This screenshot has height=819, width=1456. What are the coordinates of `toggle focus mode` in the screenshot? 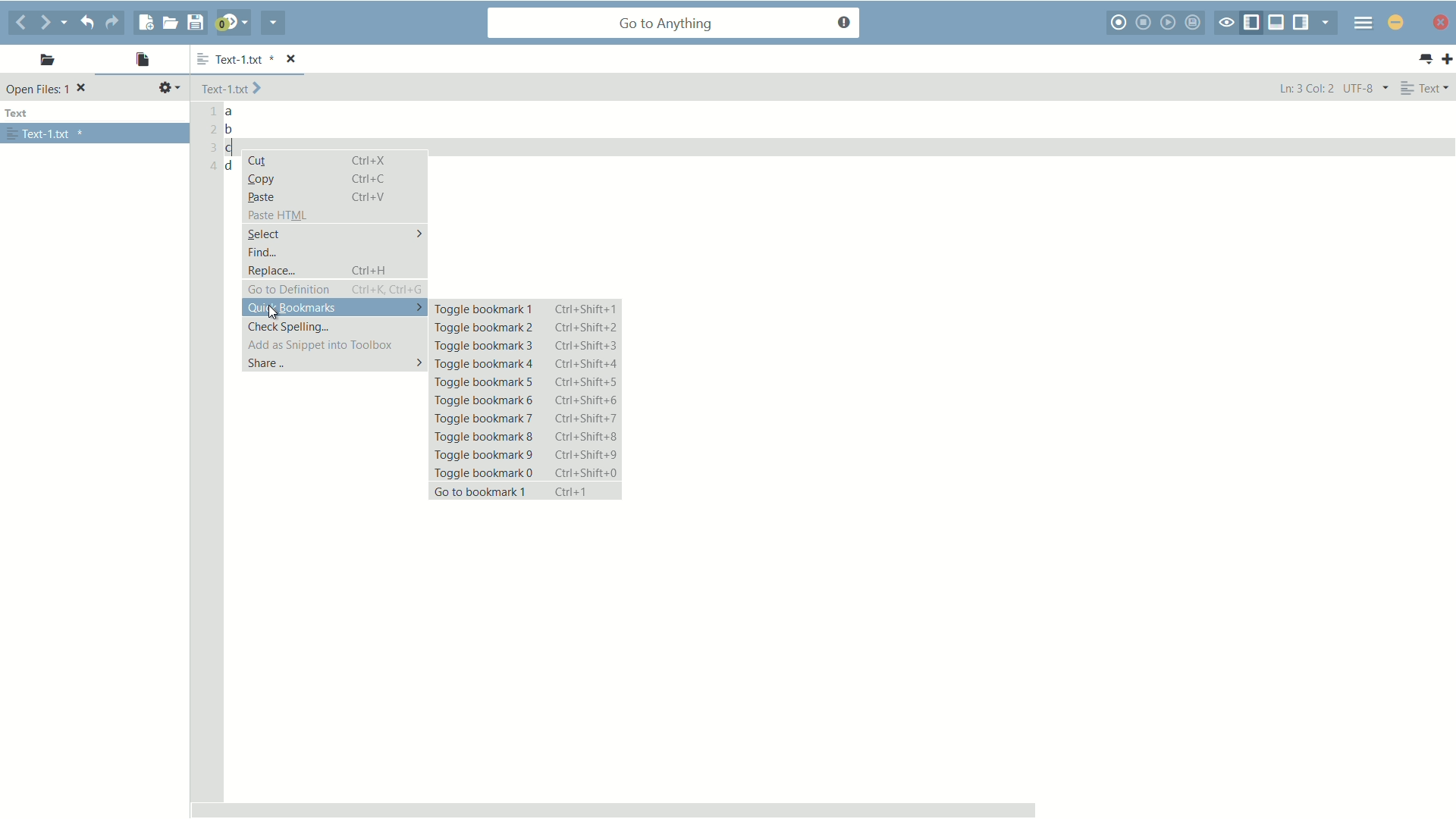 It's located at (1227, 24).